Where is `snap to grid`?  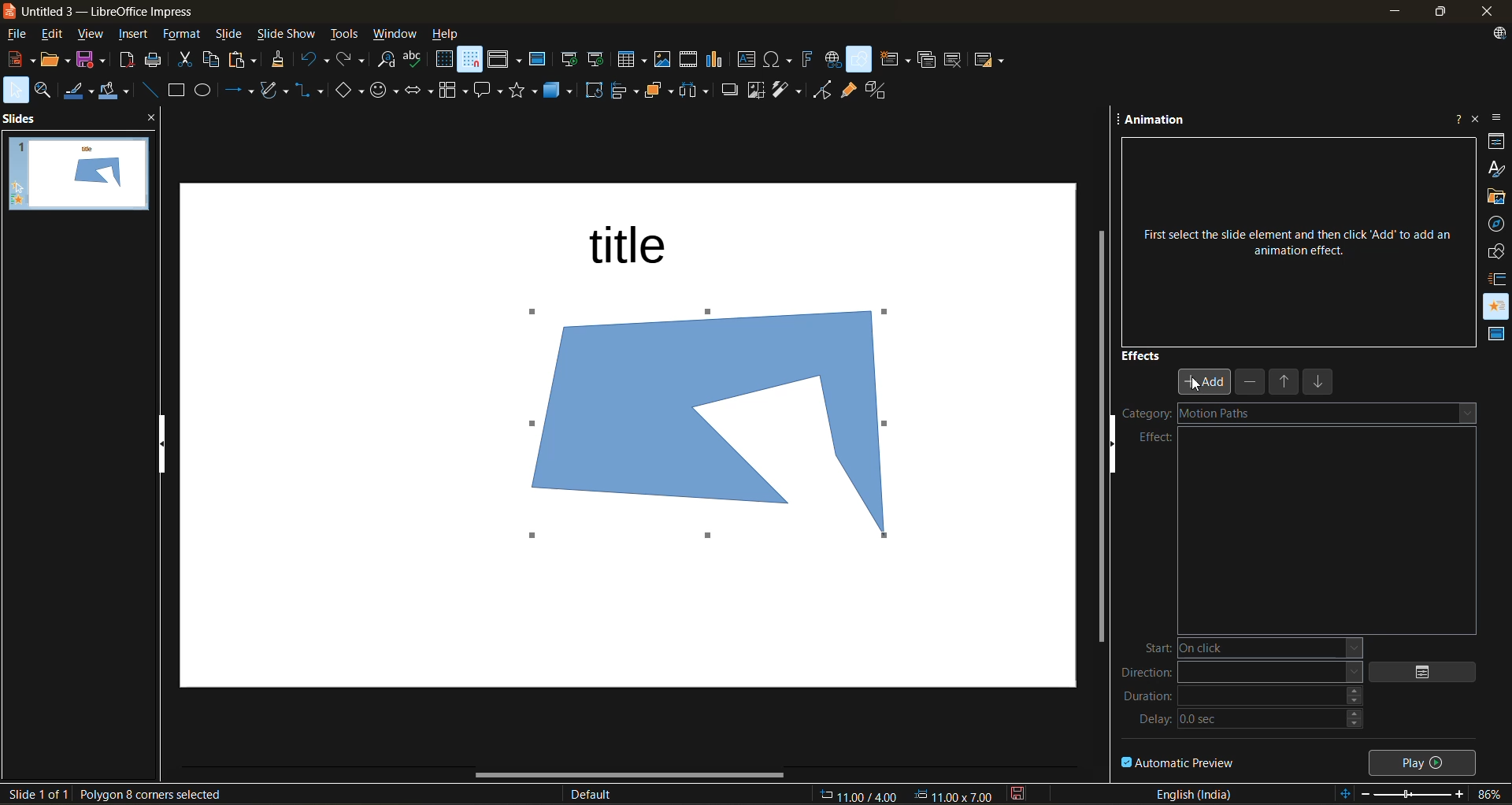
snap to grid is located at coordinates (469, 61).